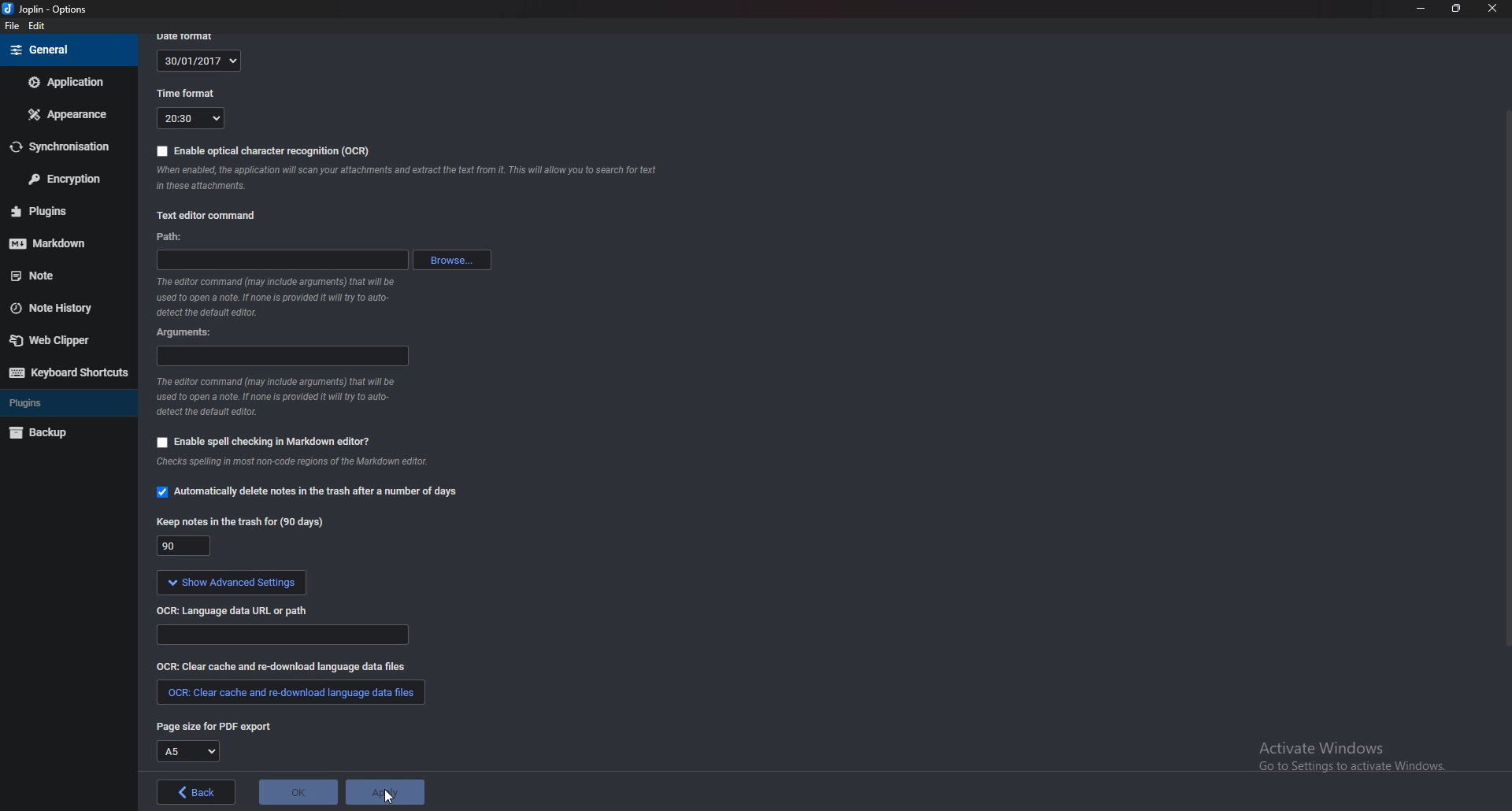 This screenshot has height=811, width=1512. Describe the element at coordinates (62, 146) in the screenshot. I see `Synchronization` at that location.